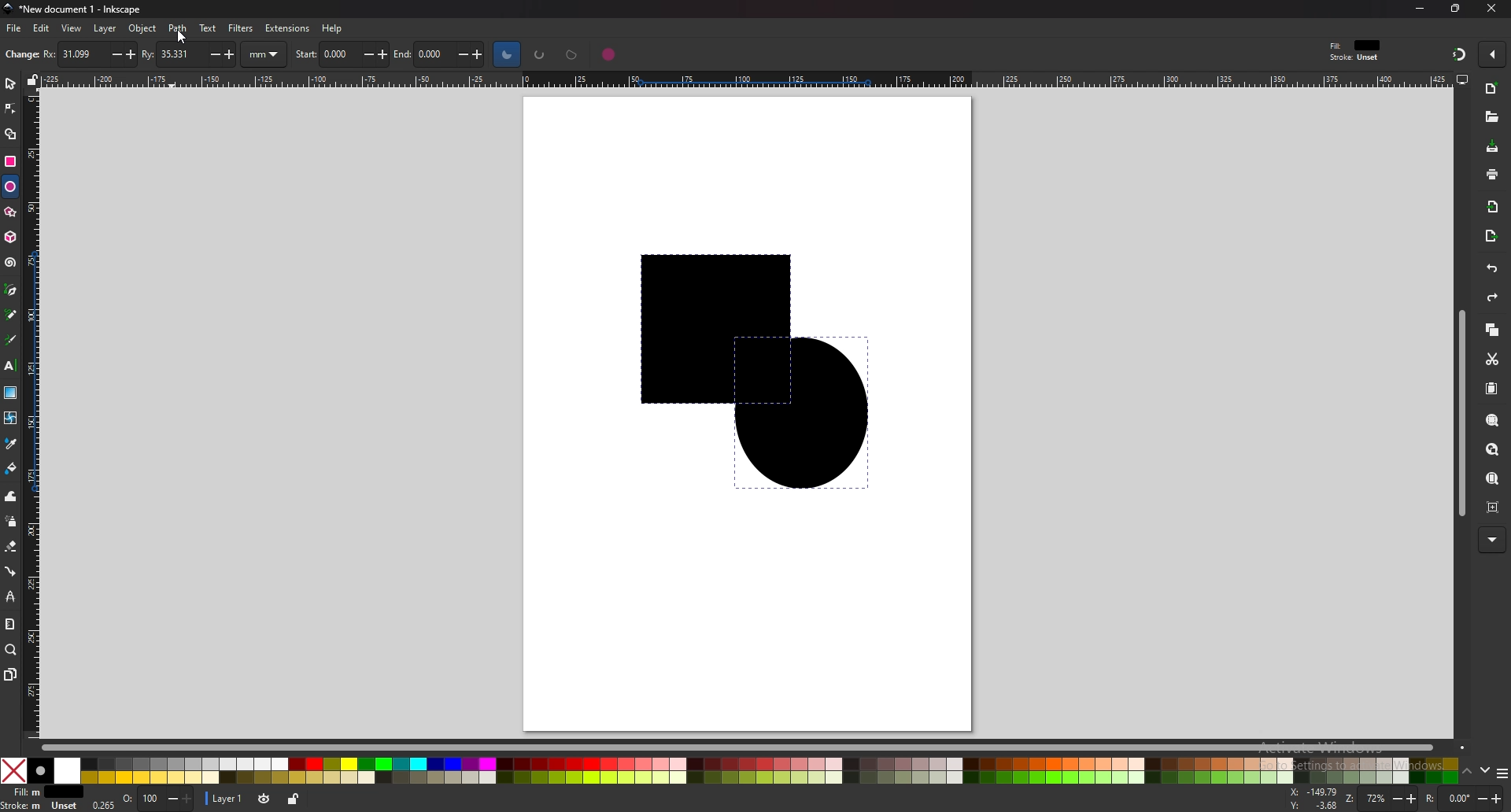 The height and width of the screenshot is (812, 1511). I want to click on spiral, so click(11, 262).